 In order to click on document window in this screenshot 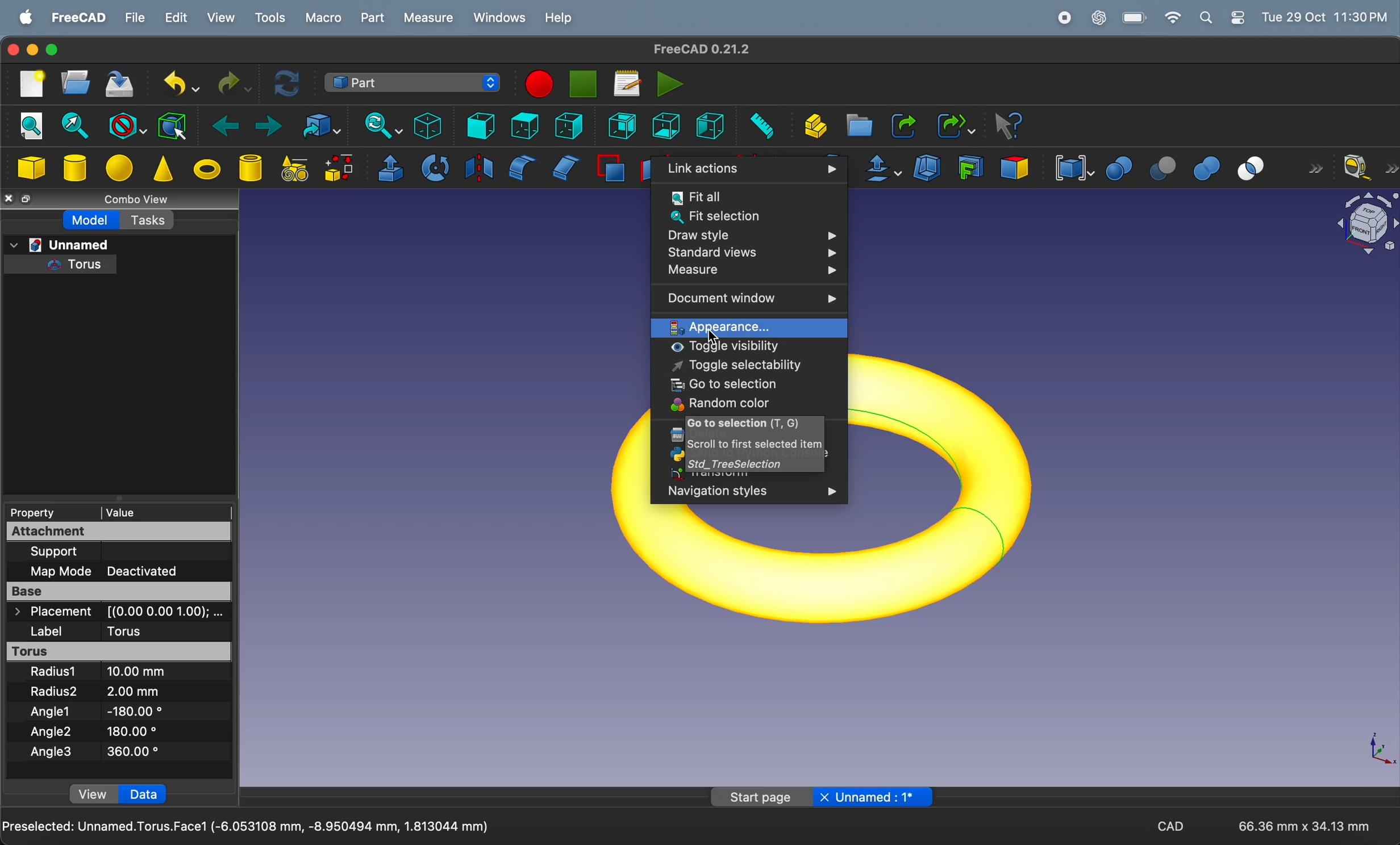, I will do `click(744, 297)`.